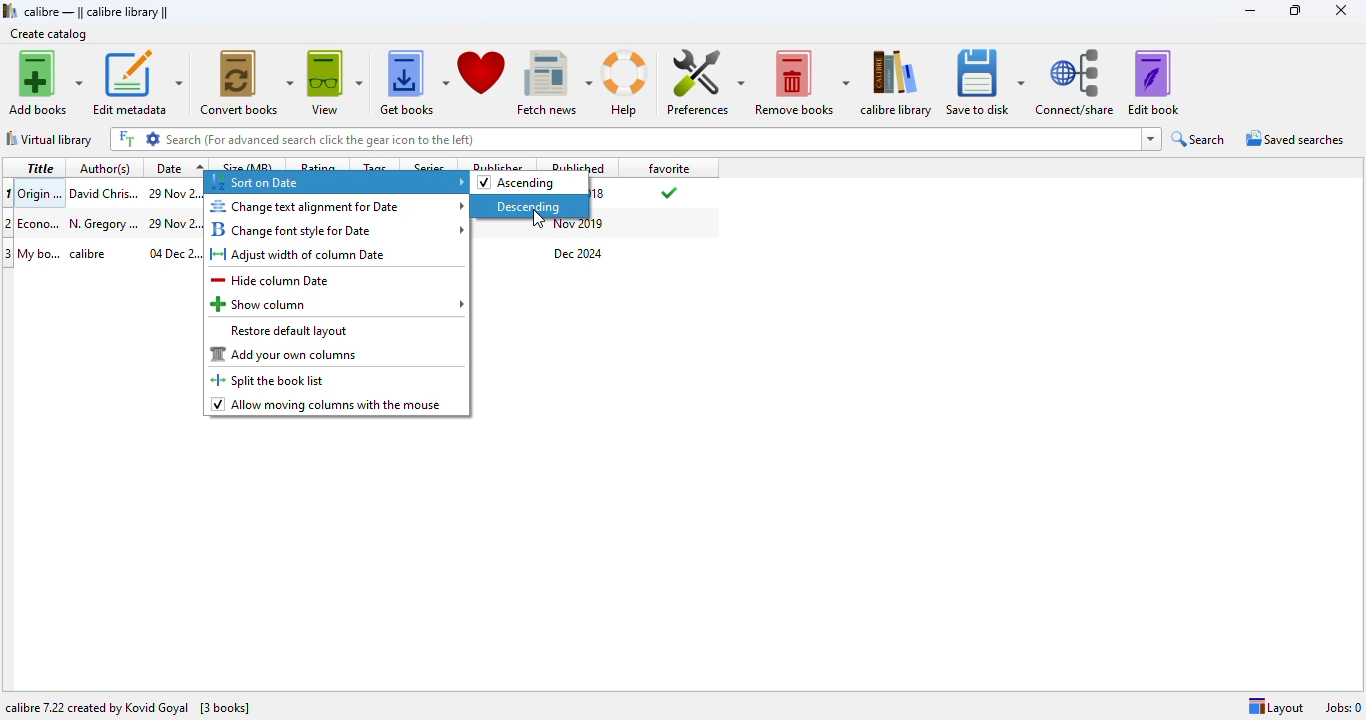 The image size is (1366, 720). What do you see at coordinates (374, 164) in the screenshot?
I see `tags` at bounding box center [374, 164].